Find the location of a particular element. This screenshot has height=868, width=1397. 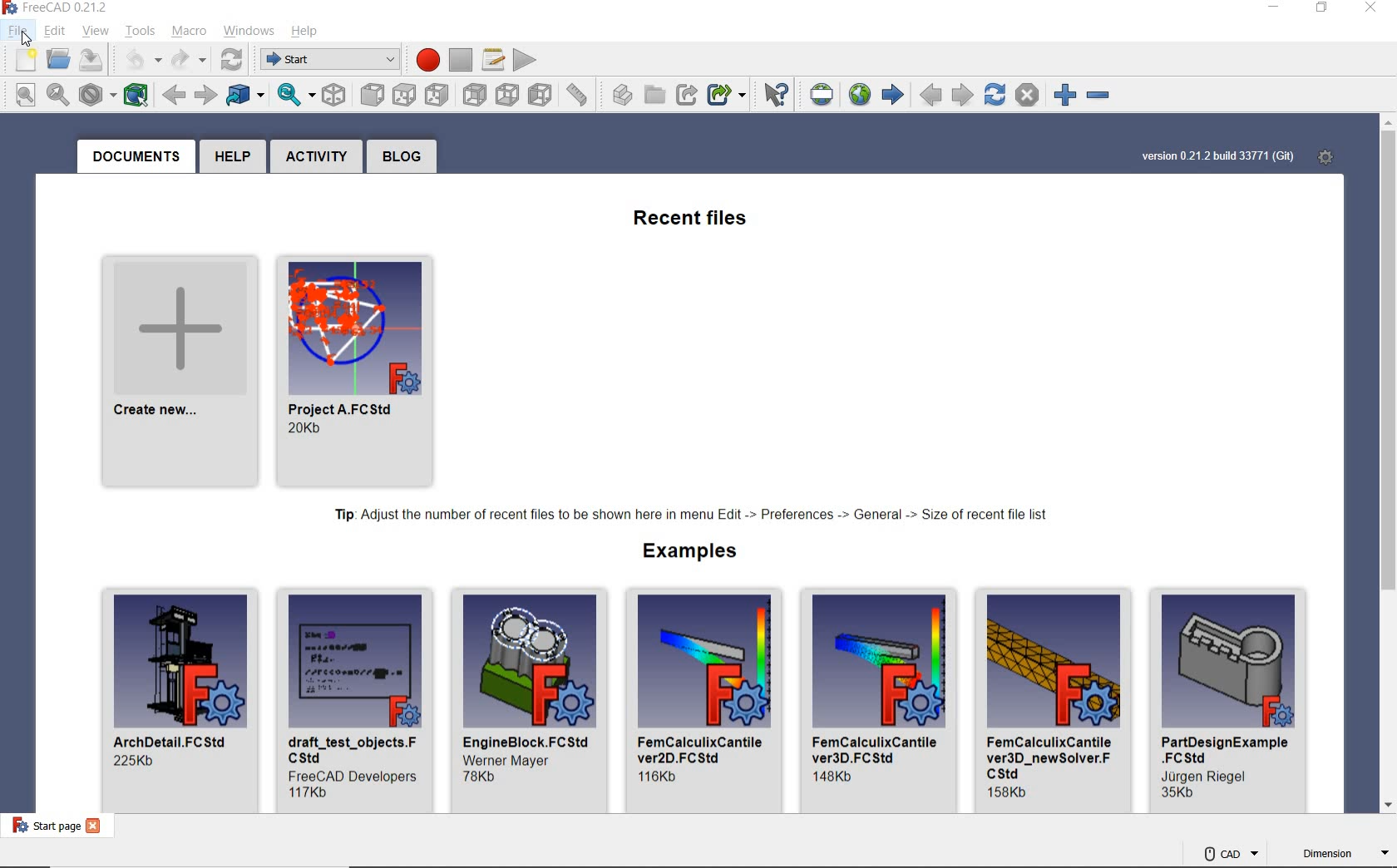

RIGHT is located at coordinates (438, 96).